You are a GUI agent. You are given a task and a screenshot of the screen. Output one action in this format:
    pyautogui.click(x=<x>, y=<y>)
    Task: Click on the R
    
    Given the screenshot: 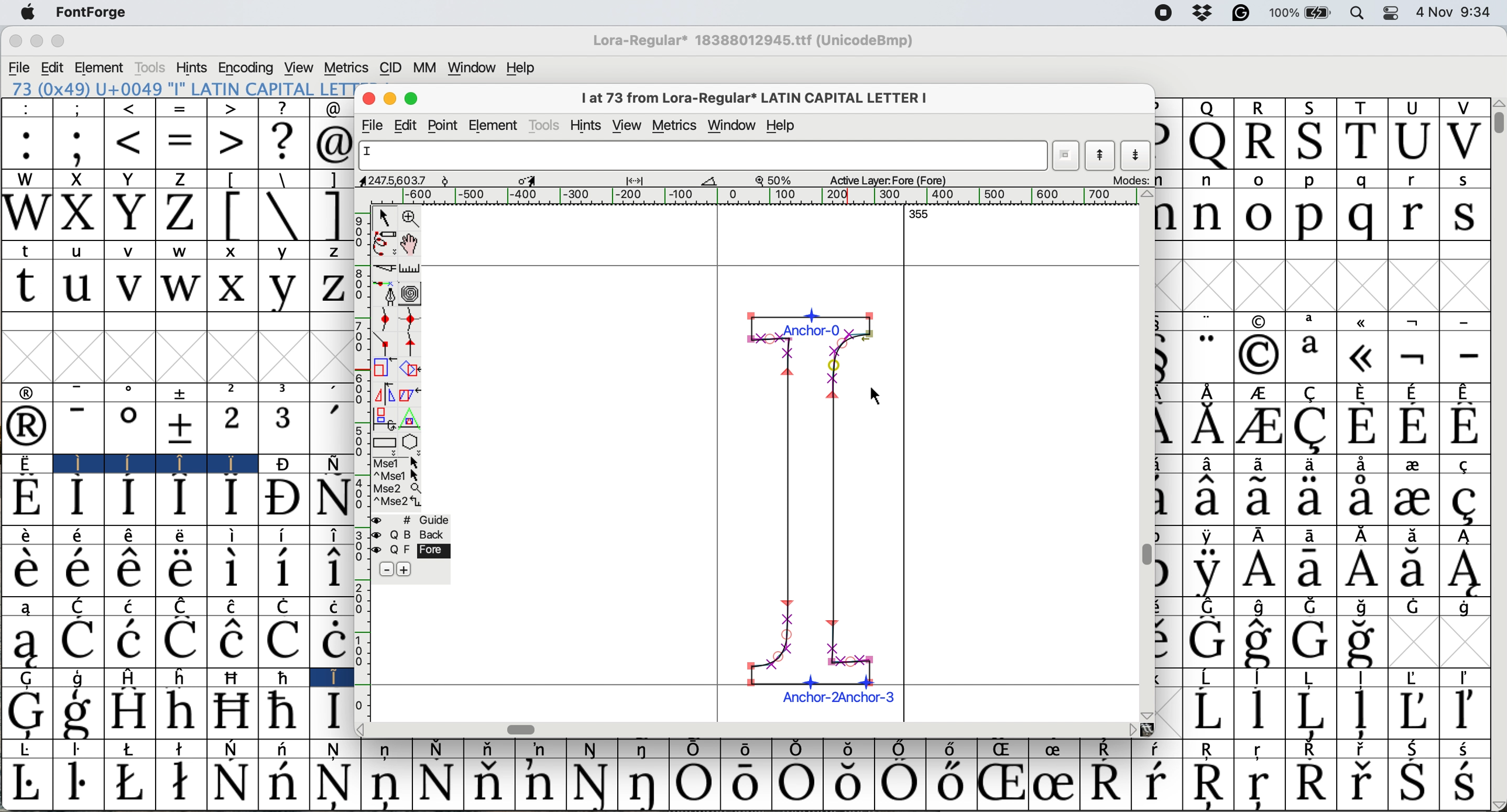 What is the action you would take?
    pyautogui.click(x=1261, y=143)
    